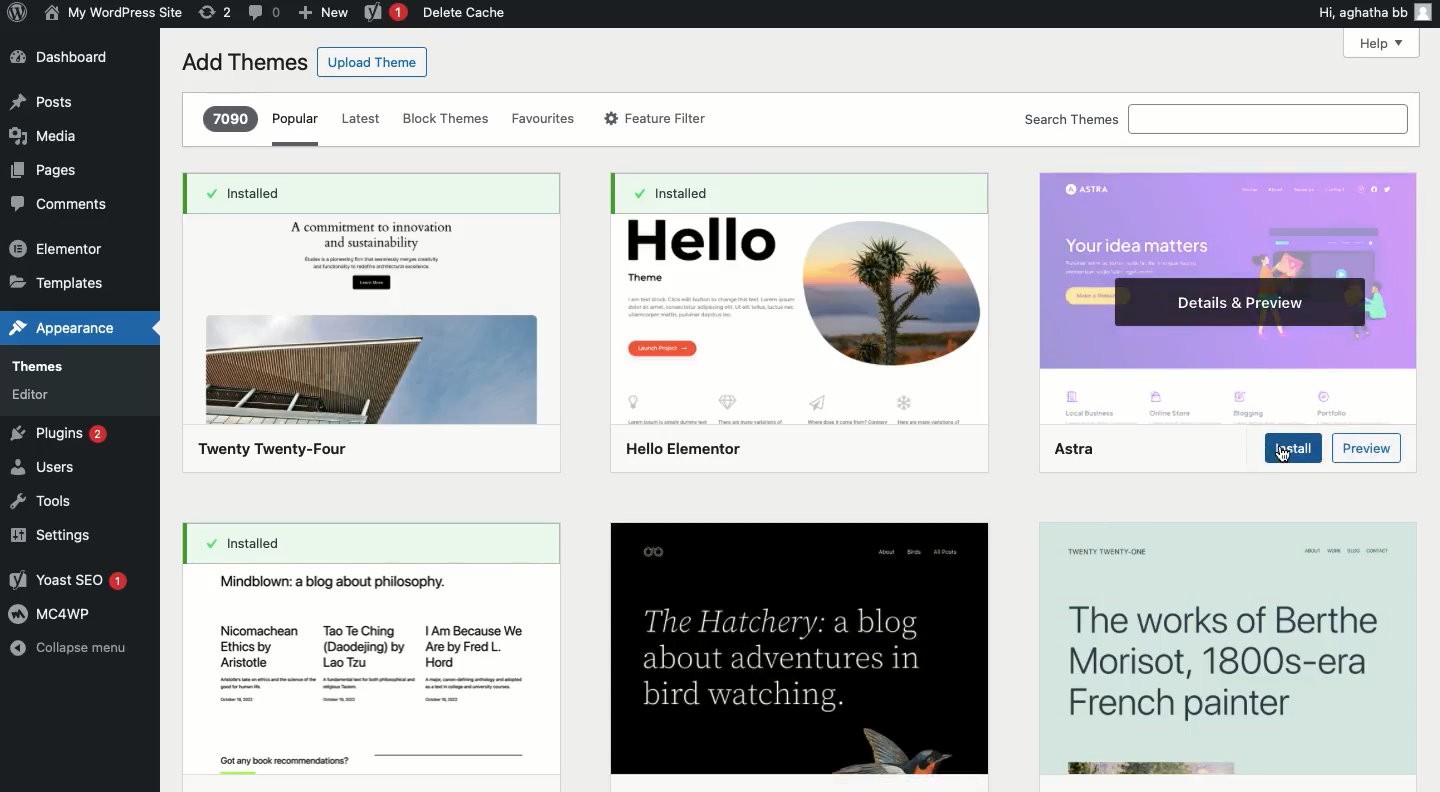  I want to click on Hi, agatha bb, so click(1358, 13).